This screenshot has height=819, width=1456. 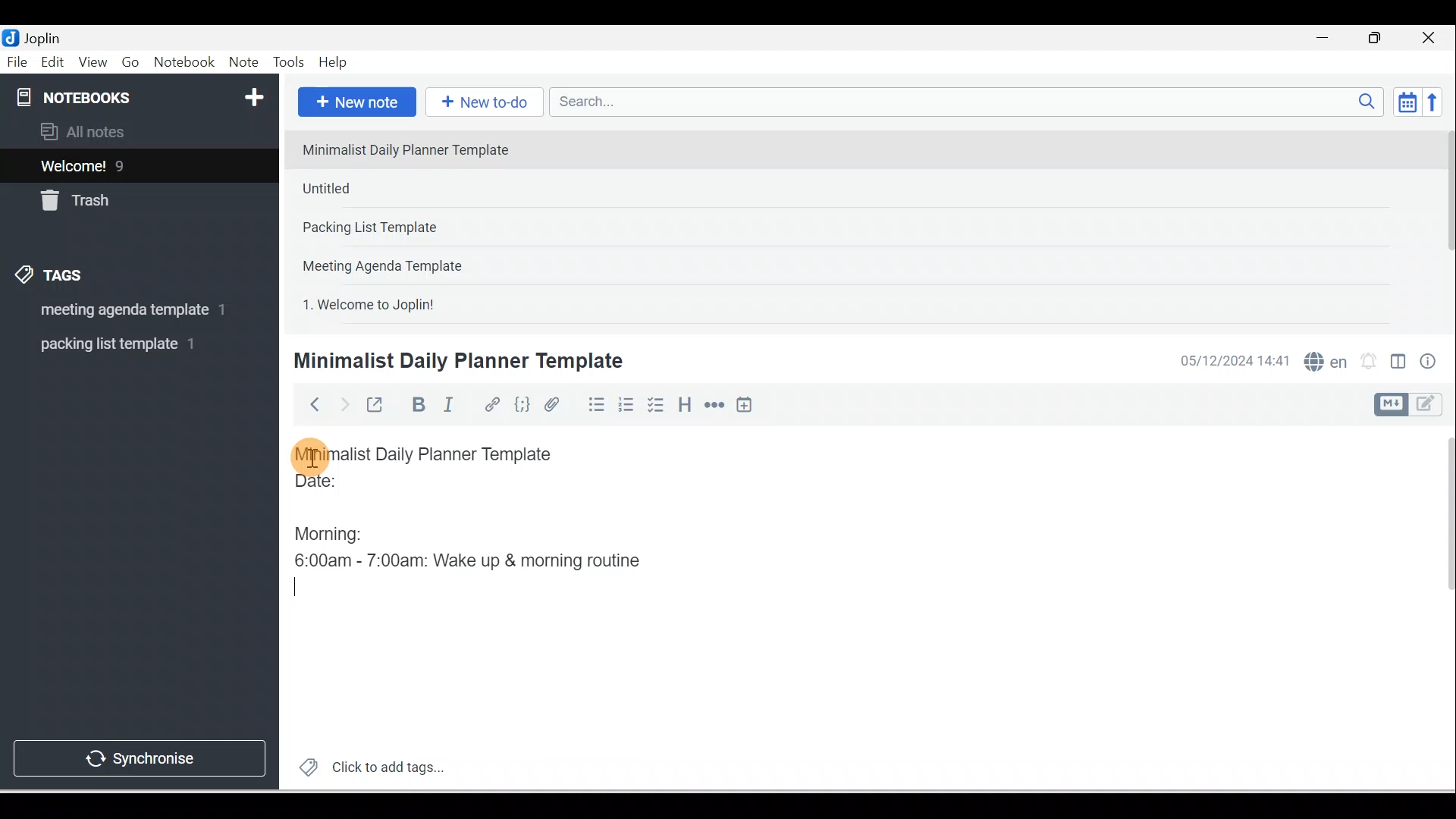 I want to click on Note, so click(x=242, y=63).